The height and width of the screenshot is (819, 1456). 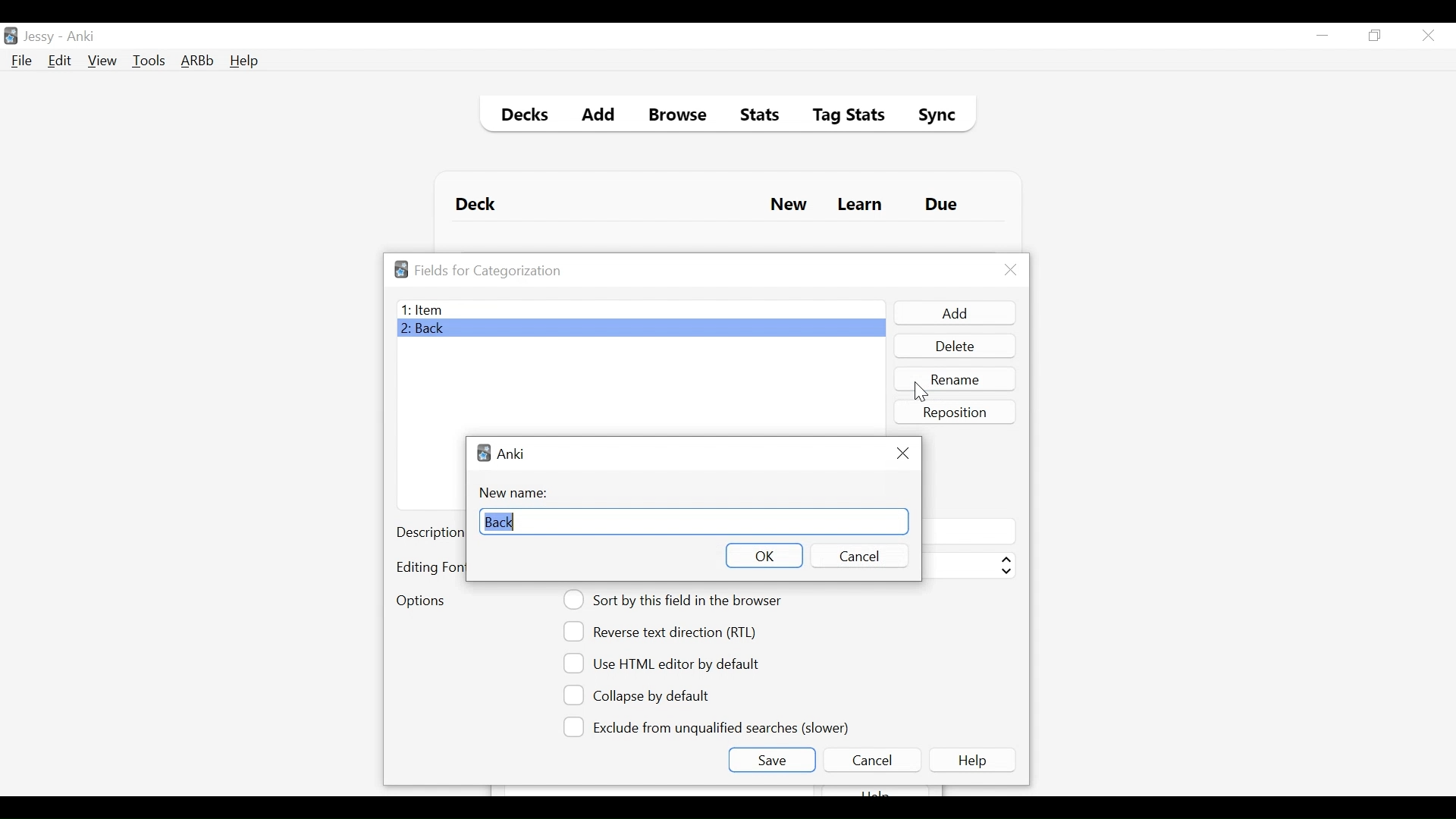 I want to click on Help, so click(x=975, y=760).